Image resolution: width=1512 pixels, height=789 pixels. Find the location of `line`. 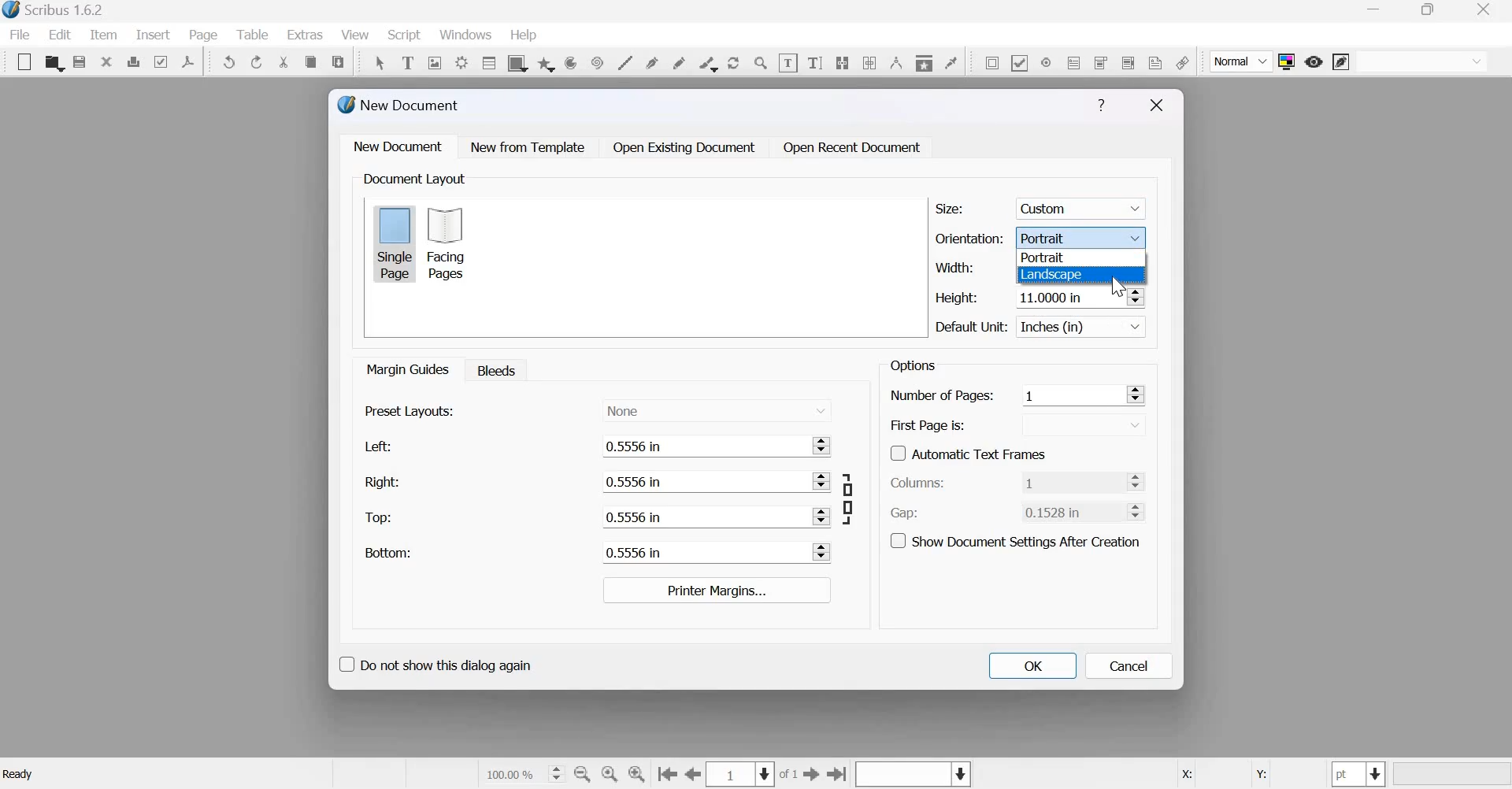

line is located at coordinates (624, 61).